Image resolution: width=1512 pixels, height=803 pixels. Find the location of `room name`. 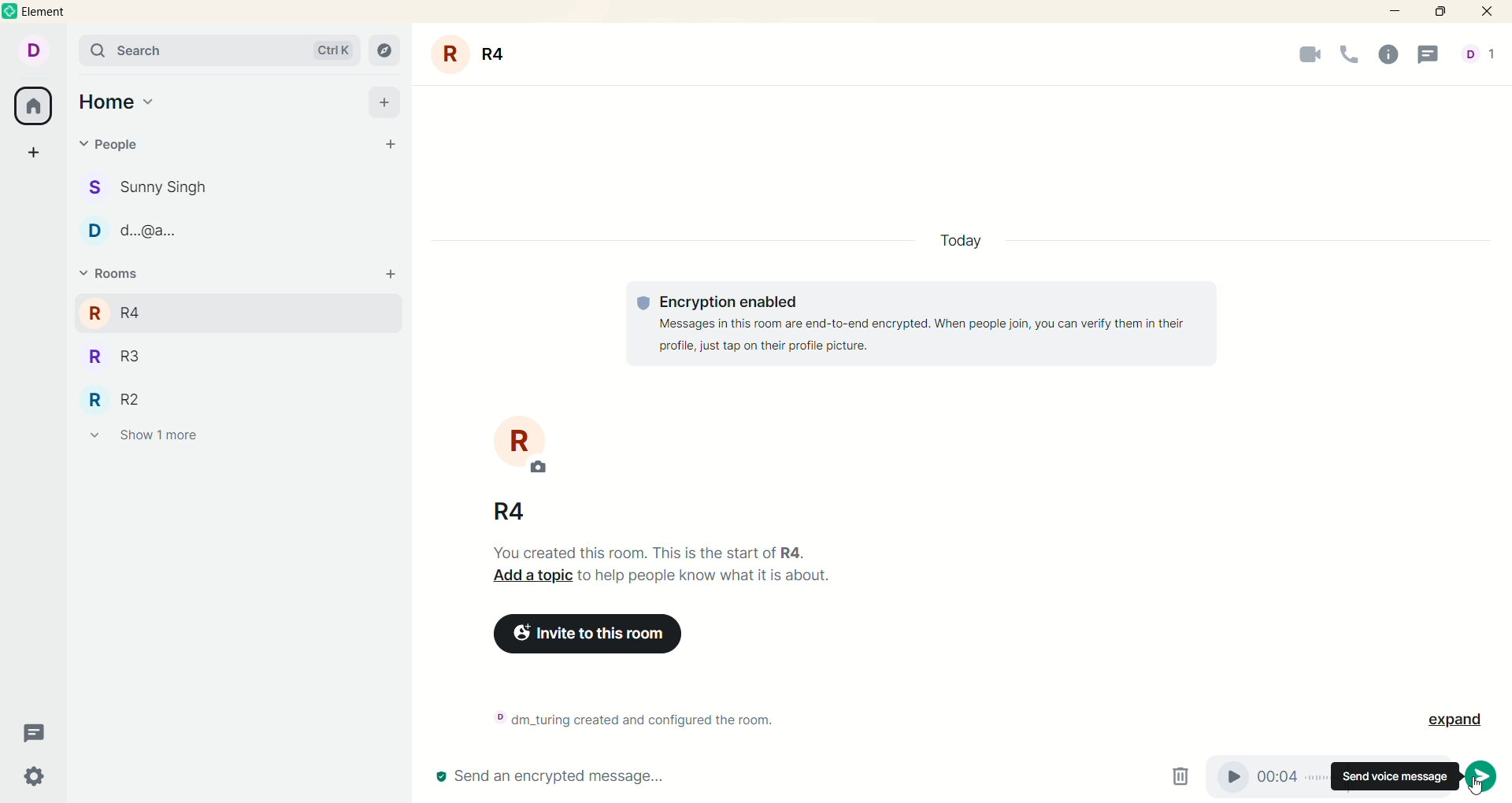

room name is located at coordinates (476, 54).